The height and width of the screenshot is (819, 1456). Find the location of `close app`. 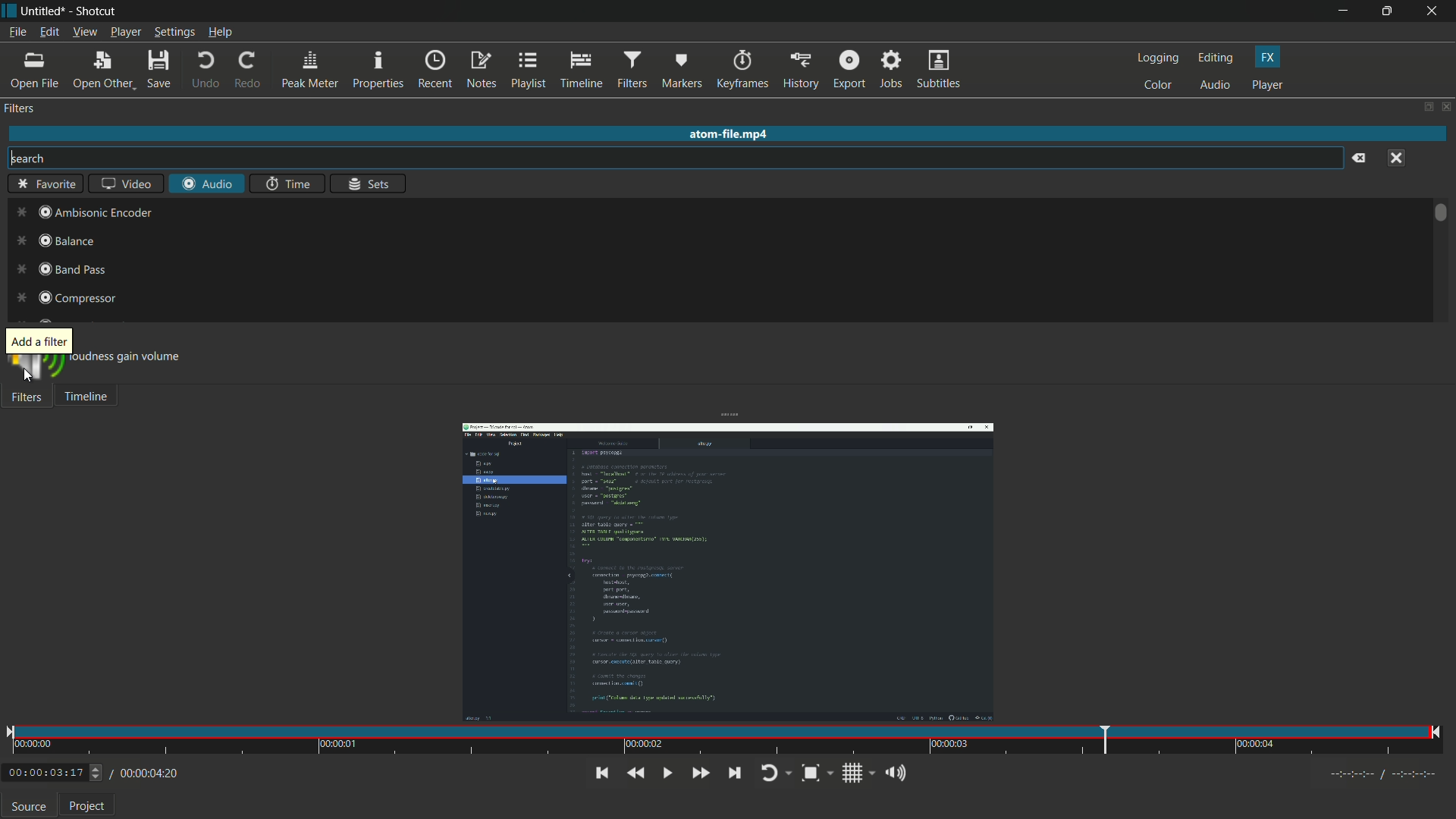

close app is located at coordinates (1435, 11).